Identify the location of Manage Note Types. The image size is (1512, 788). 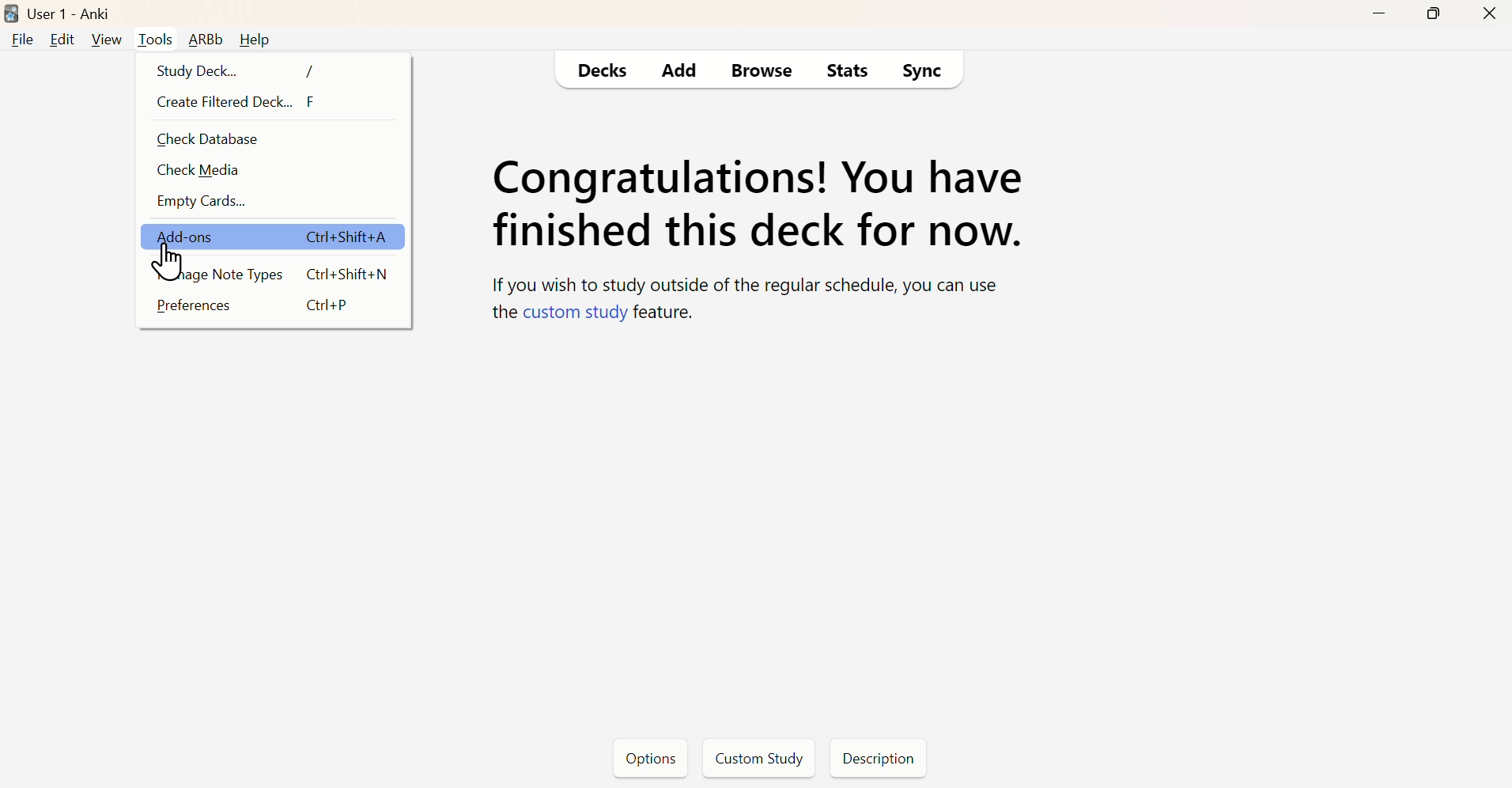
(312, 271).